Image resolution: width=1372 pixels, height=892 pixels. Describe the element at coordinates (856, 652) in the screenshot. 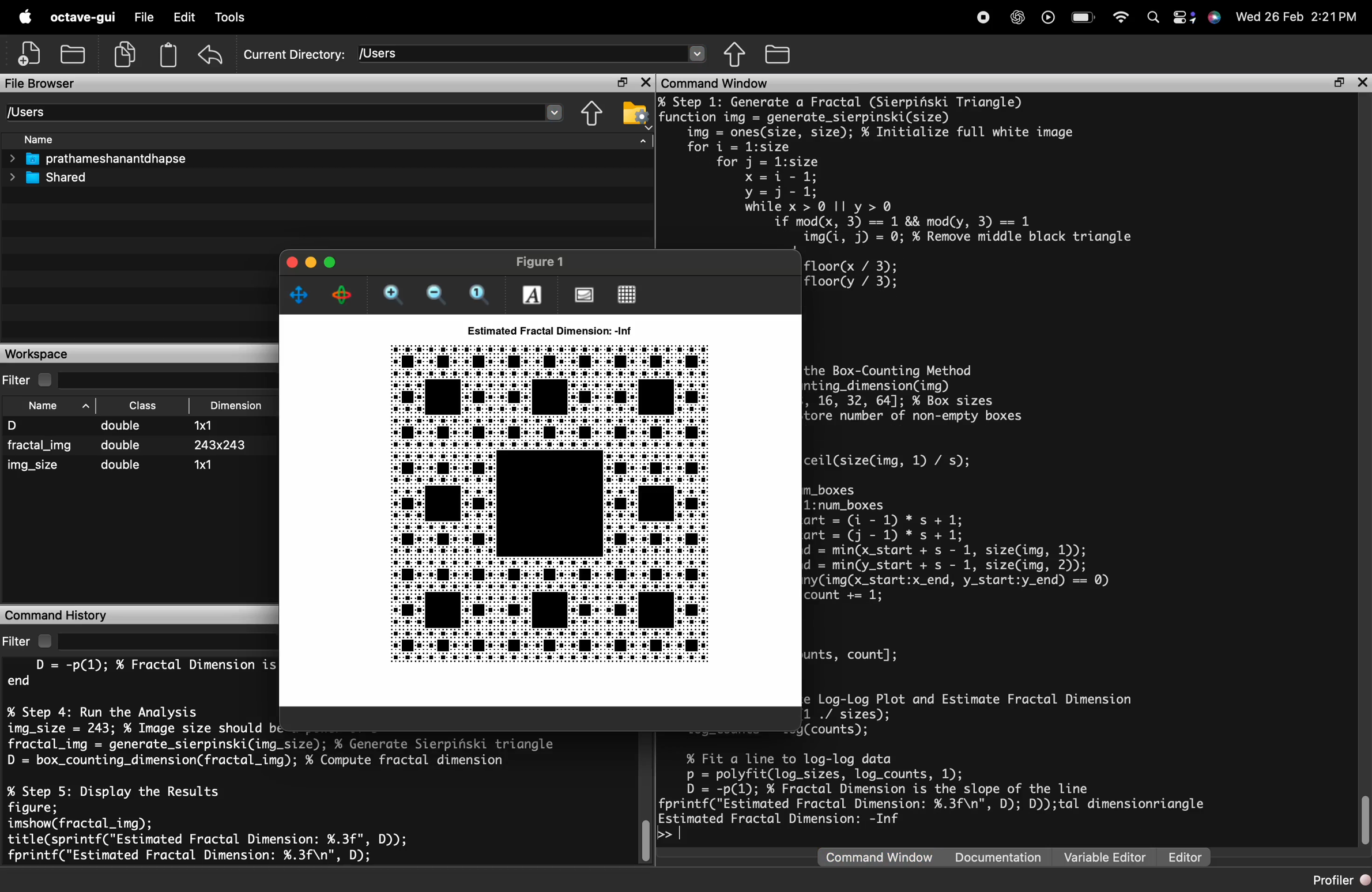

I see `code` at that location.